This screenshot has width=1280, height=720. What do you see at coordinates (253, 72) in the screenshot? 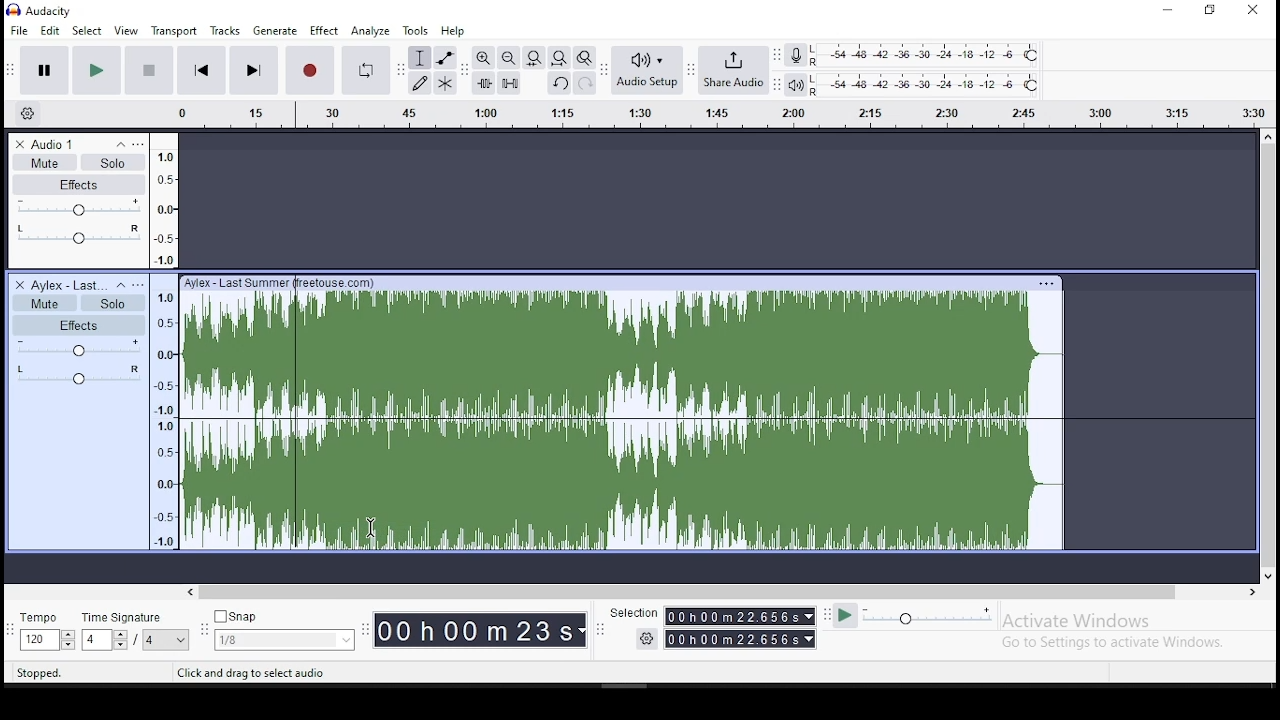
I see `skip to end` at bounding box center [253, 72].